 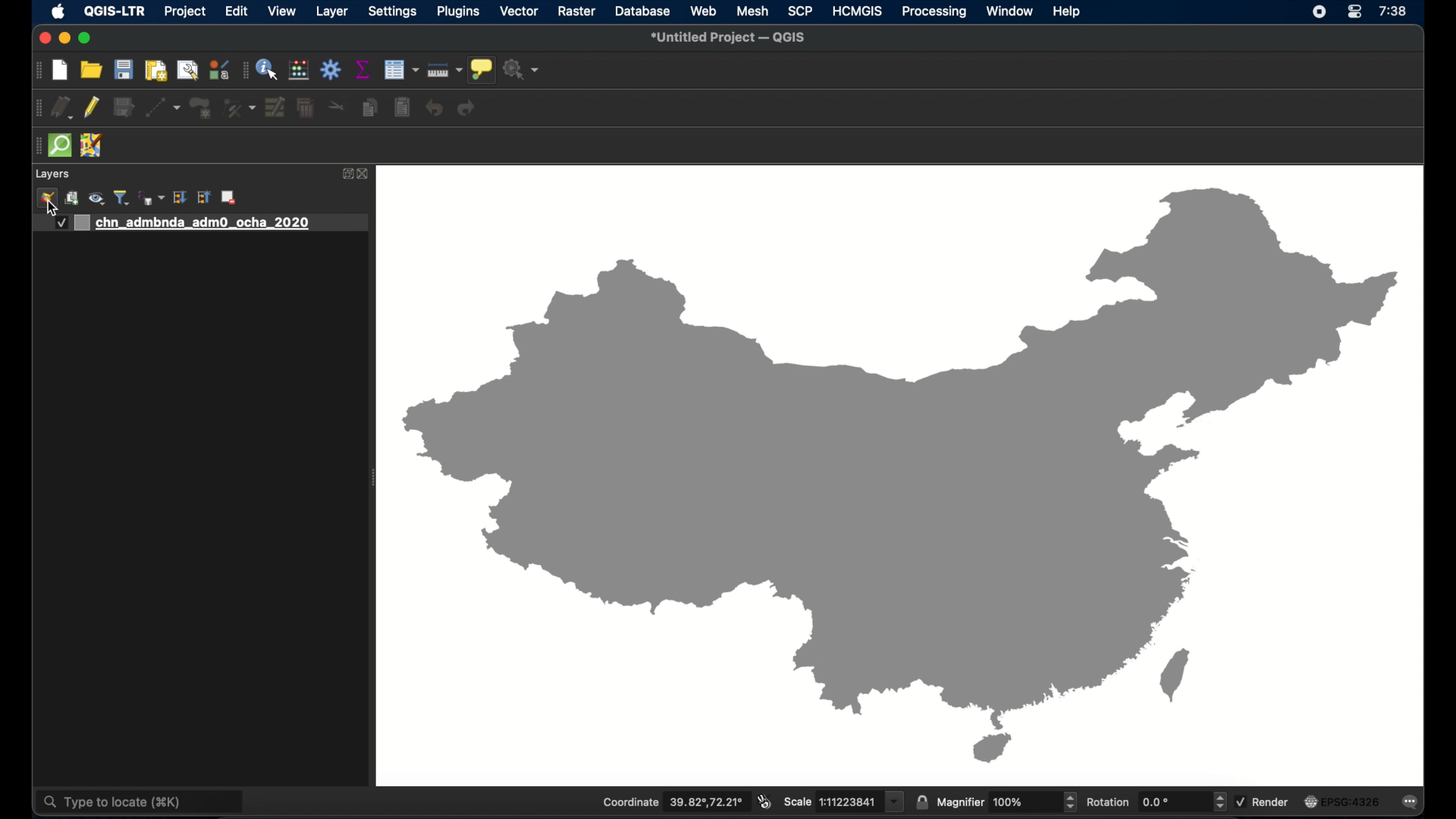 I want to click on undo, so click(x=435, y=108).